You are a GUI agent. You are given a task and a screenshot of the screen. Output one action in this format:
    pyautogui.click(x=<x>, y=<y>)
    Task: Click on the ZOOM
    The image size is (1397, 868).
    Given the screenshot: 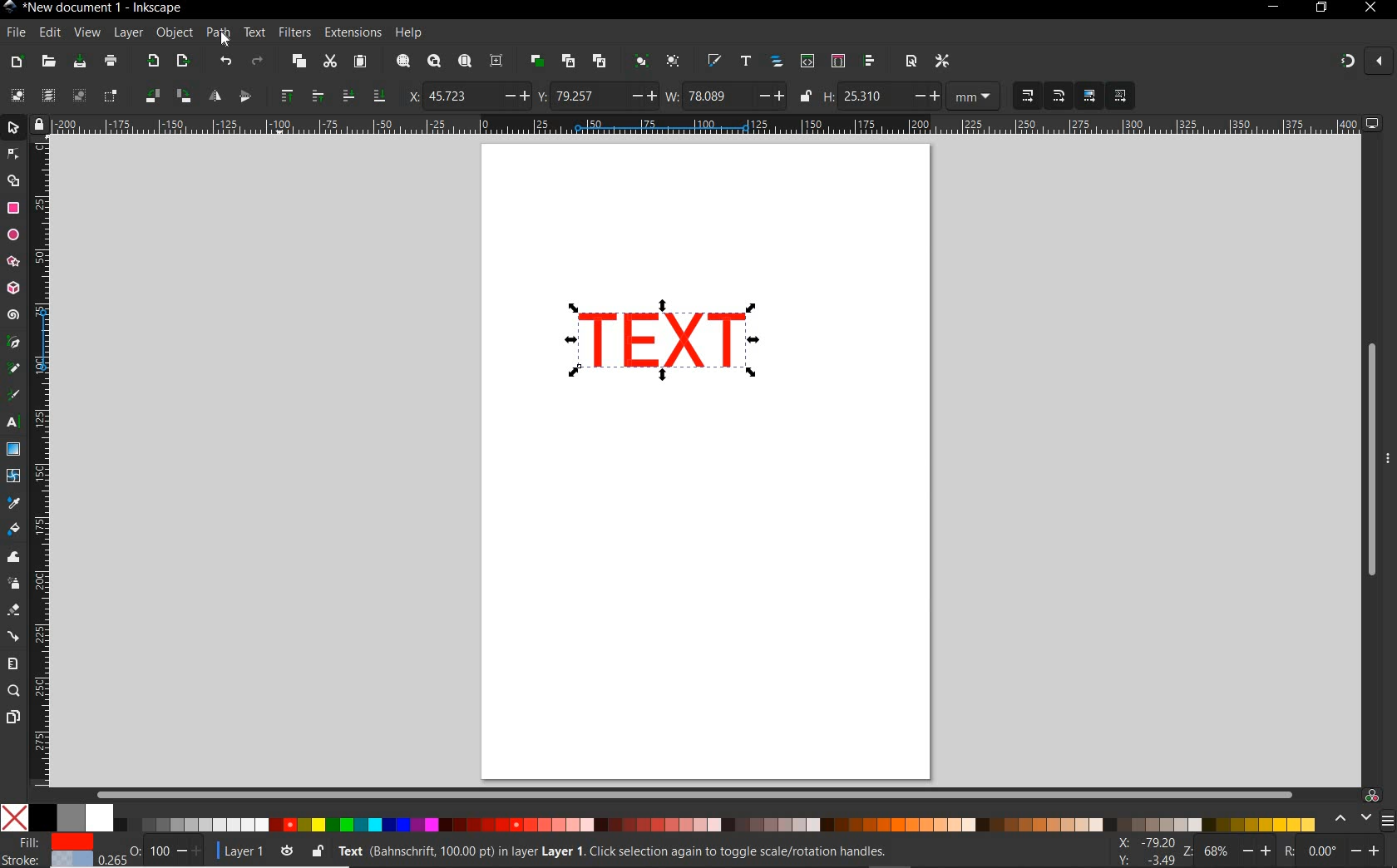 What is the action you would take?
    pyautogui.click(x=1228, y=850)
    